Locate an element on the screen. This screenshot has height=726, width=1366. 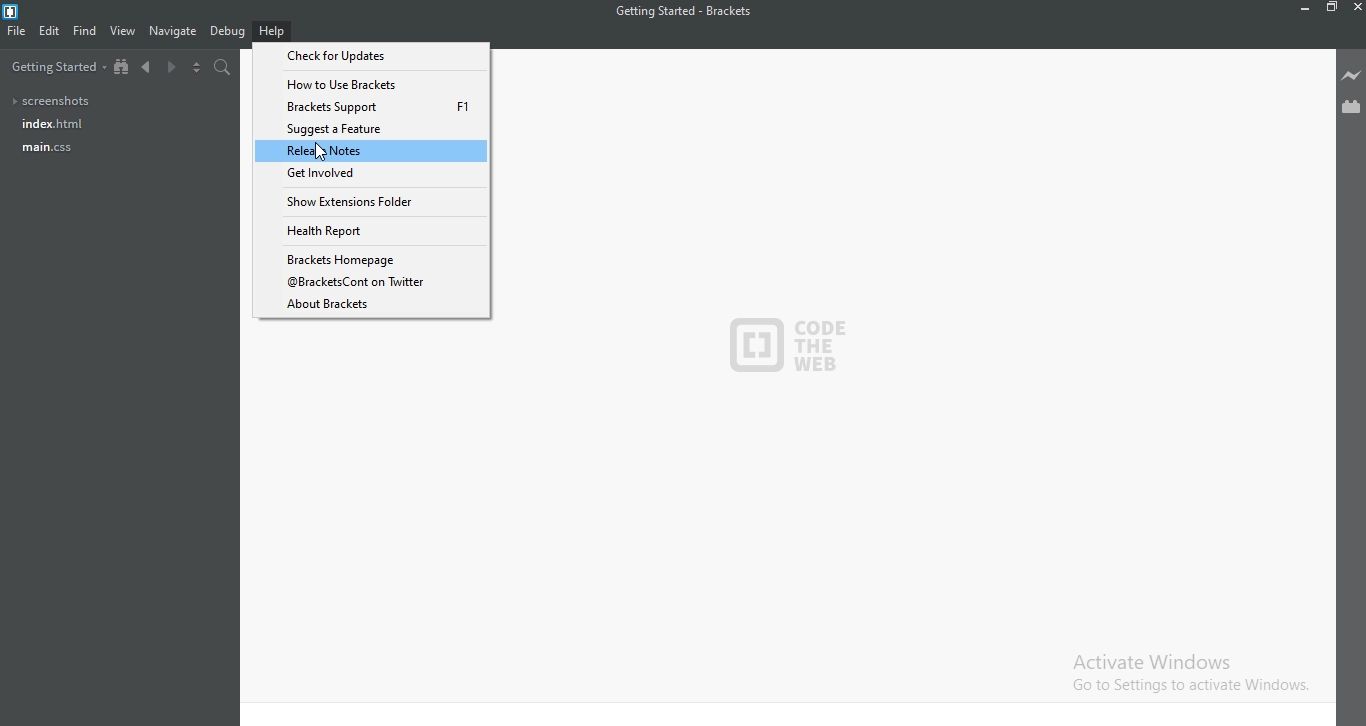
Minimise is located at coordinates (1306, 9).